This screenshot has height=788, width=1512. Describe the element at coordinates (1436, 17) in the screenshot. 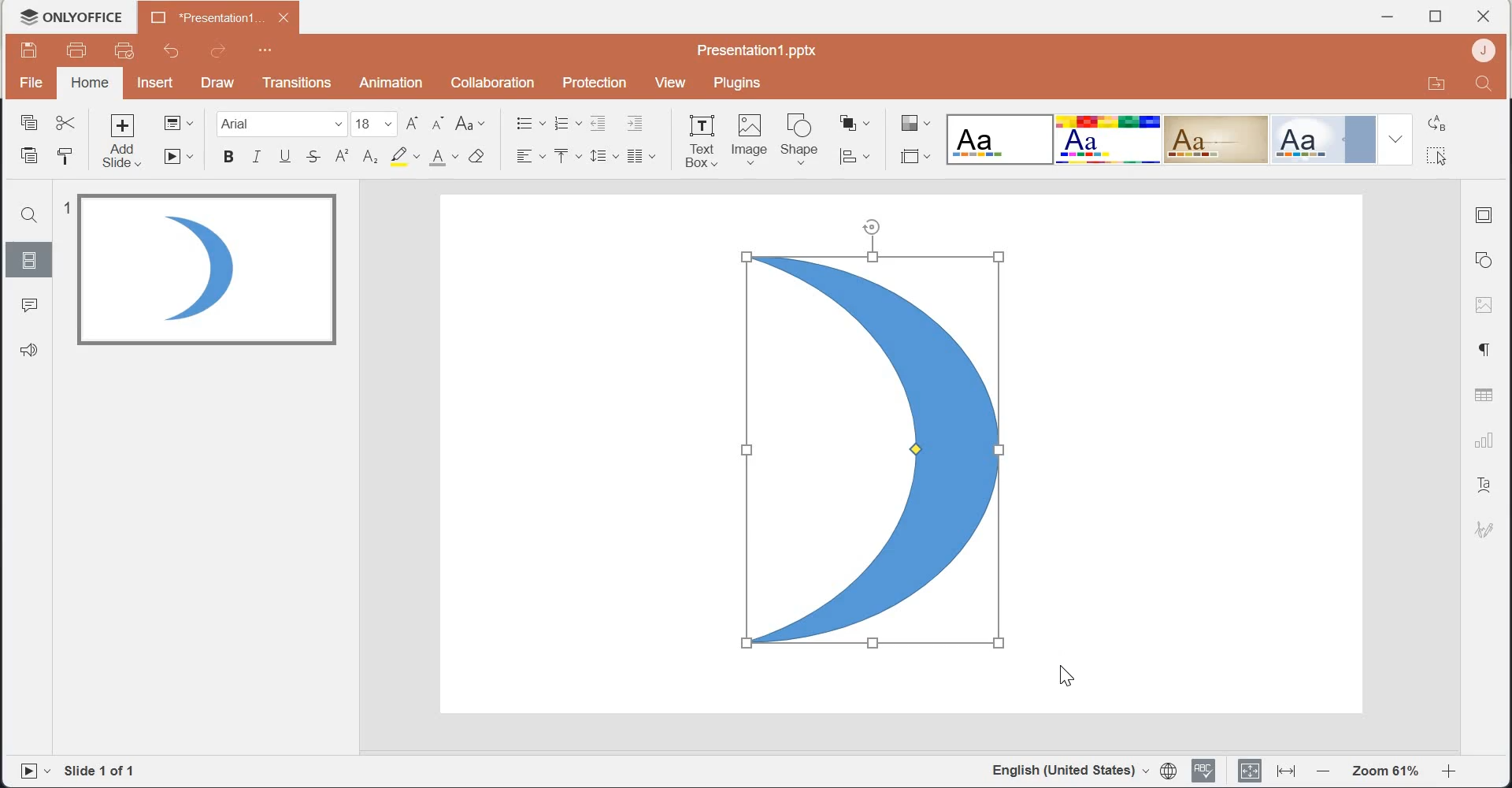

I see `Maximize` at that location.